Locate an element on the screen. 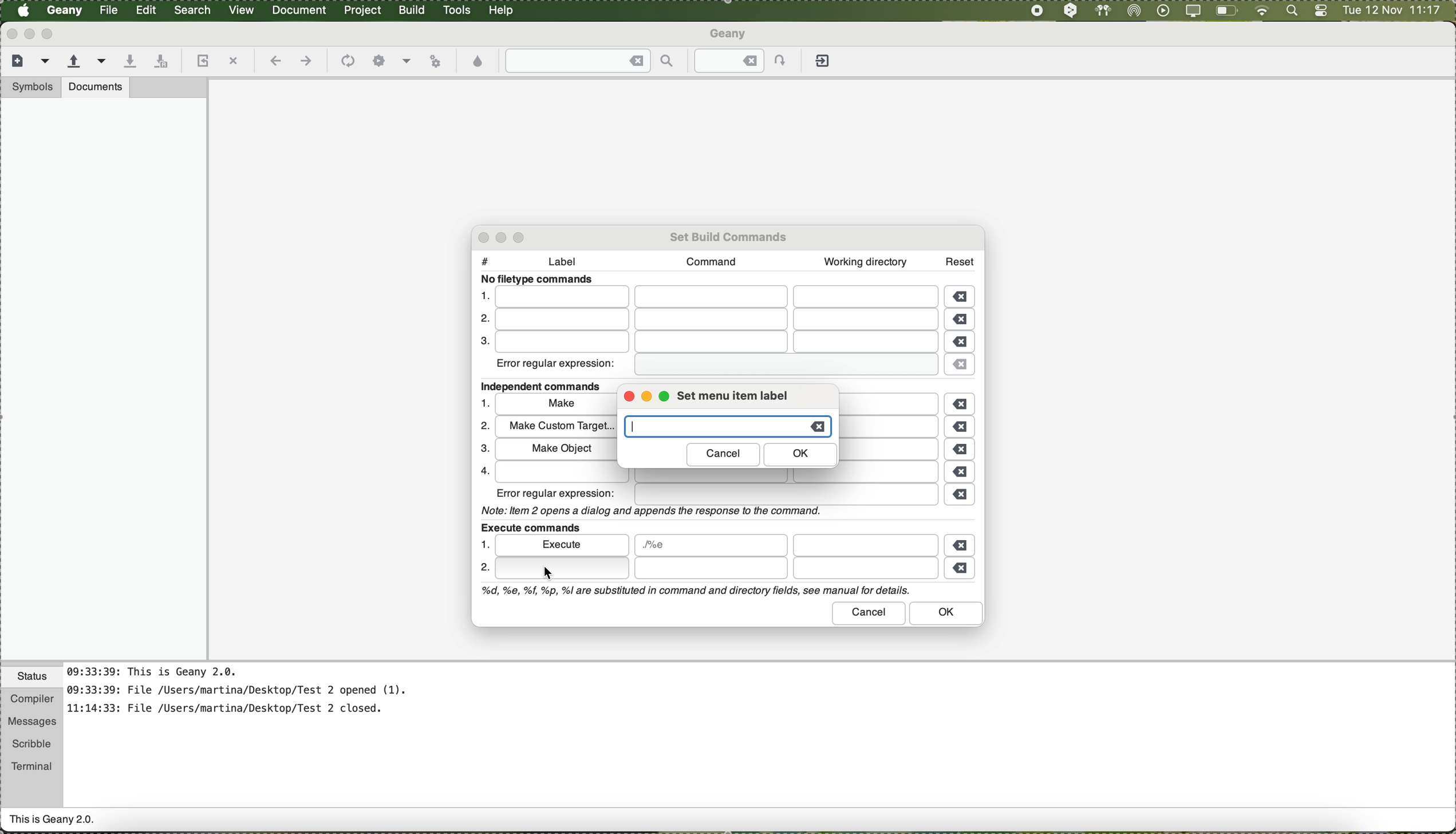 Image resolution: width=1456 pixels, height=834 pixels. save all open files is located at coordinates (159, 62).